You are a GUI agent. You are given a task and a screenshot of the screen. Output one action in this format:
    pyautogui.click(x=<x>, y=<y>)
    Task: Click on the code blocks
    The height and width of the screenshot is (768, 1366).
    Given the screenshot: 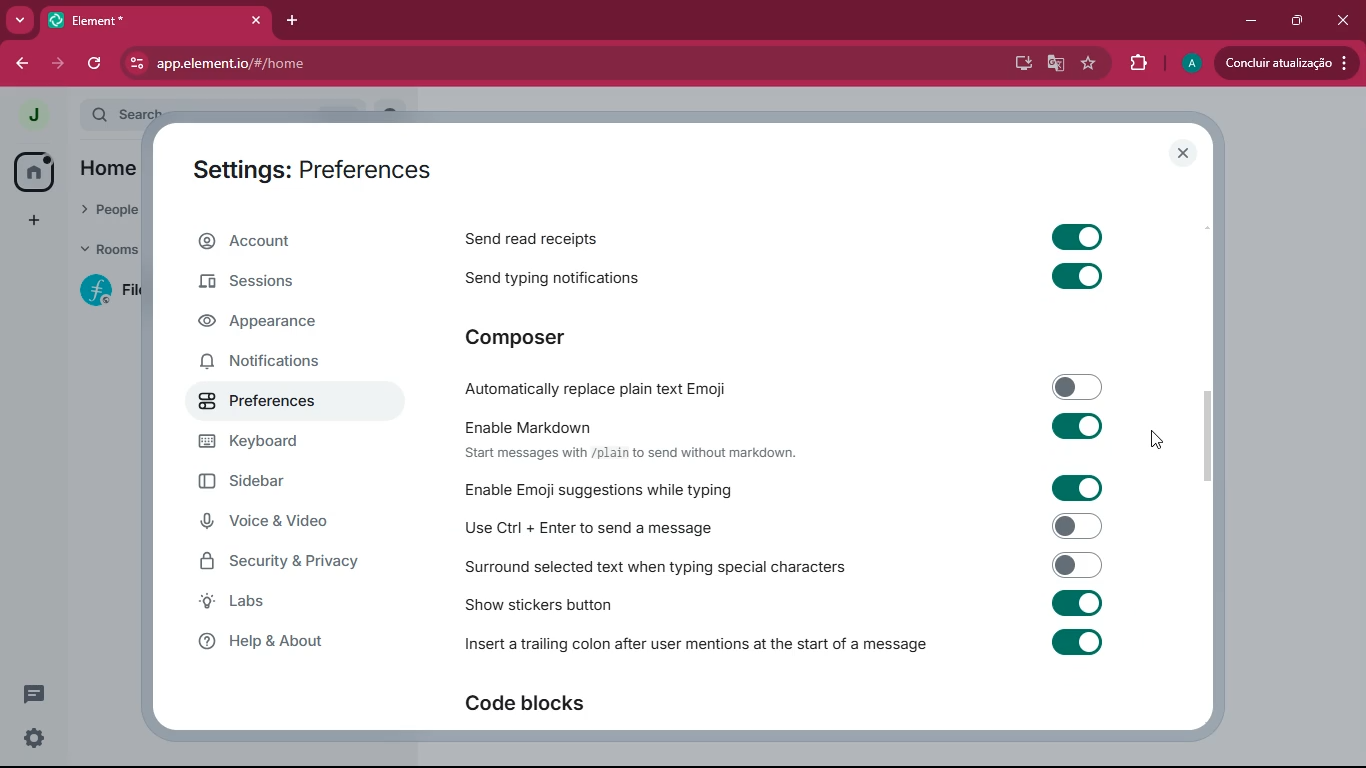 What is the action you would take?
    pyautogui.click(x=545, y=705)
    